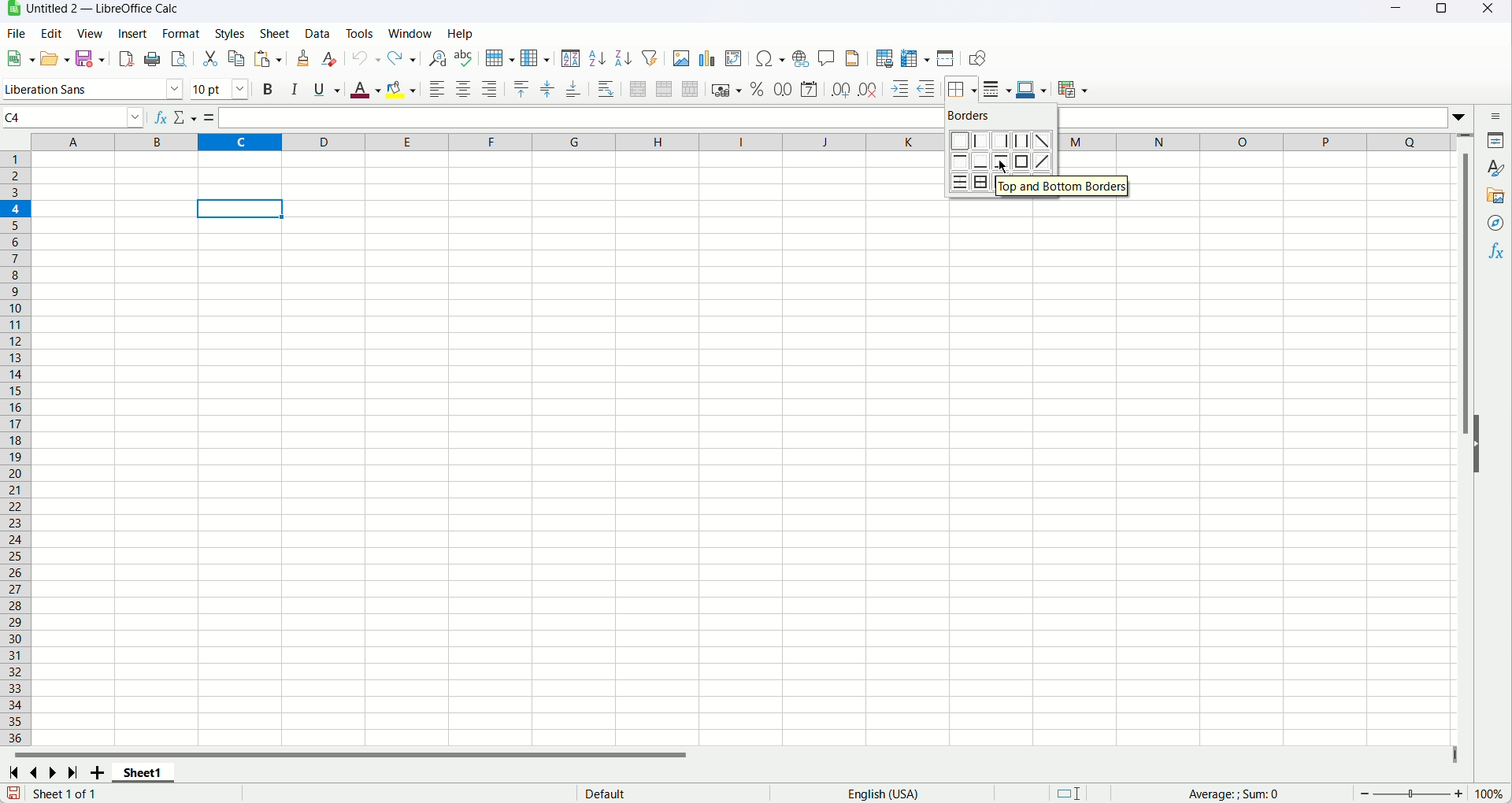 The height and width of the screenshot is (803, 1512). What do you see at coordinates (327, 89) in the screenshot?
I see `Underline` at bounding box center [327, 89].